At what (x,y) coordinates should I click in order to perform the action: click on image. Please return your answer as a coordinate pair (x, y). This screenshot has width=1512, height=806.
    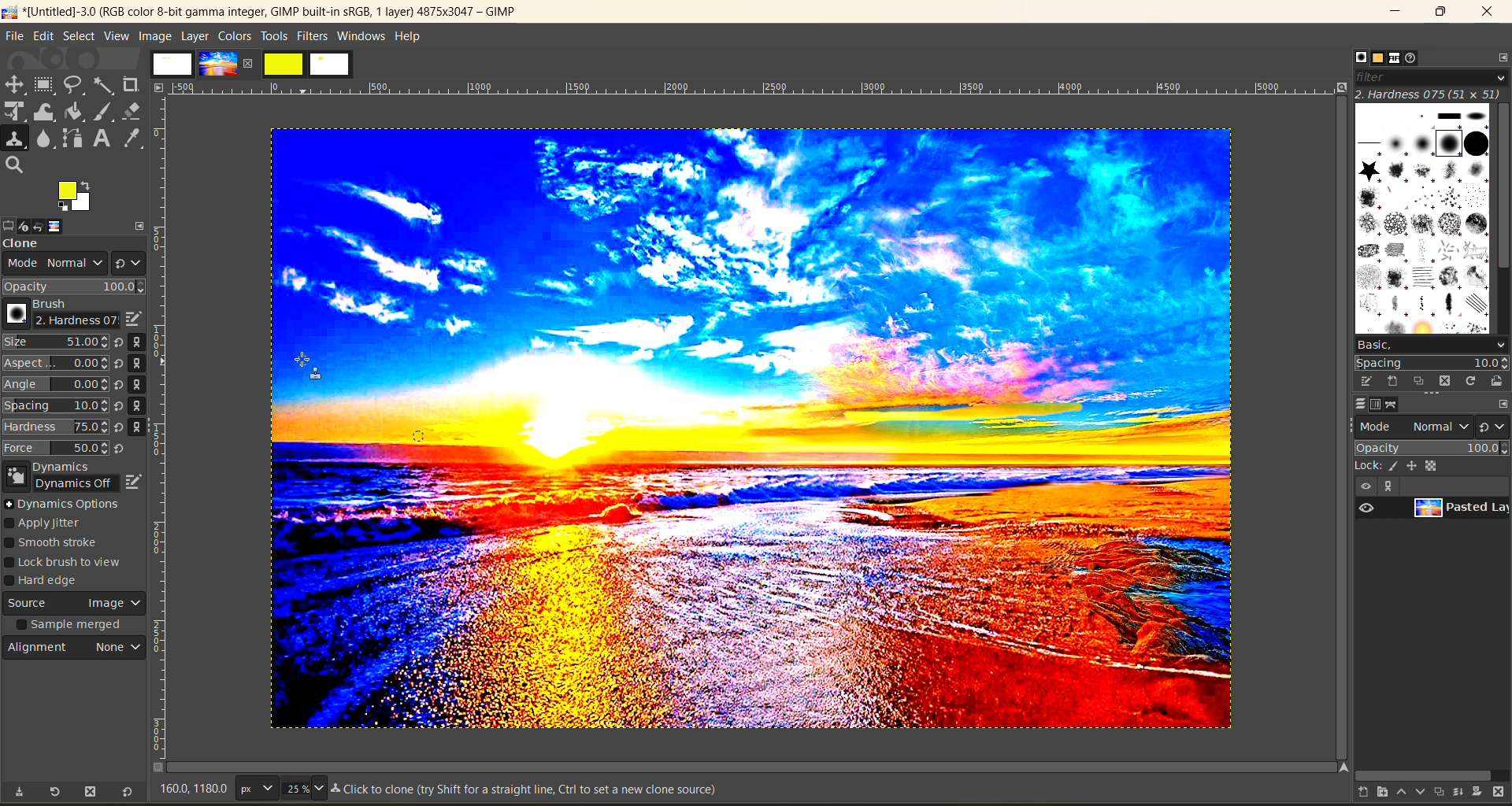
    Looking at the image, I should click on (69, 226).